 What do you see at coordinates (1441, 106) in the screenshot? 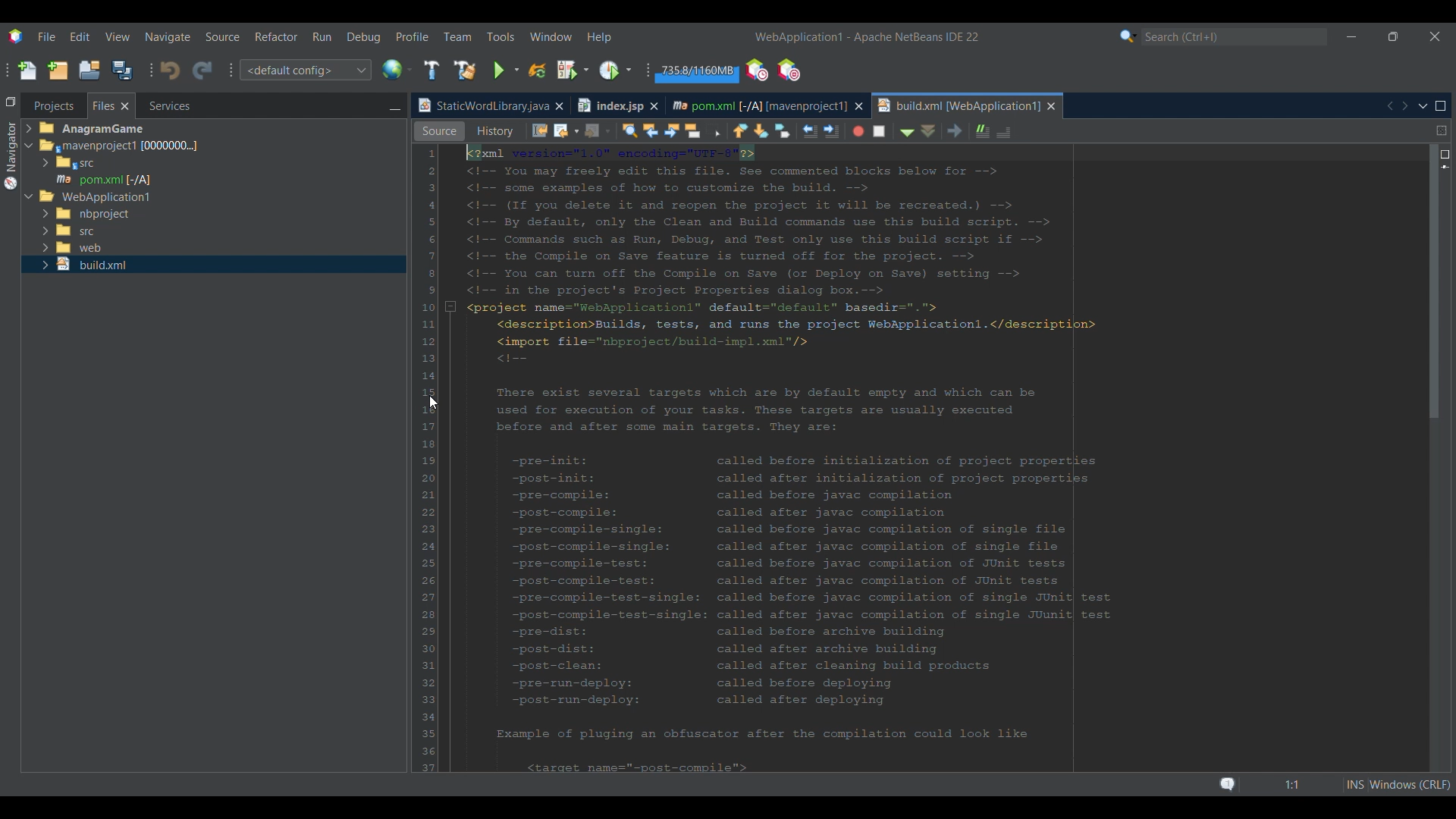
I see `Maximize` at bounding box center [1441, 106].